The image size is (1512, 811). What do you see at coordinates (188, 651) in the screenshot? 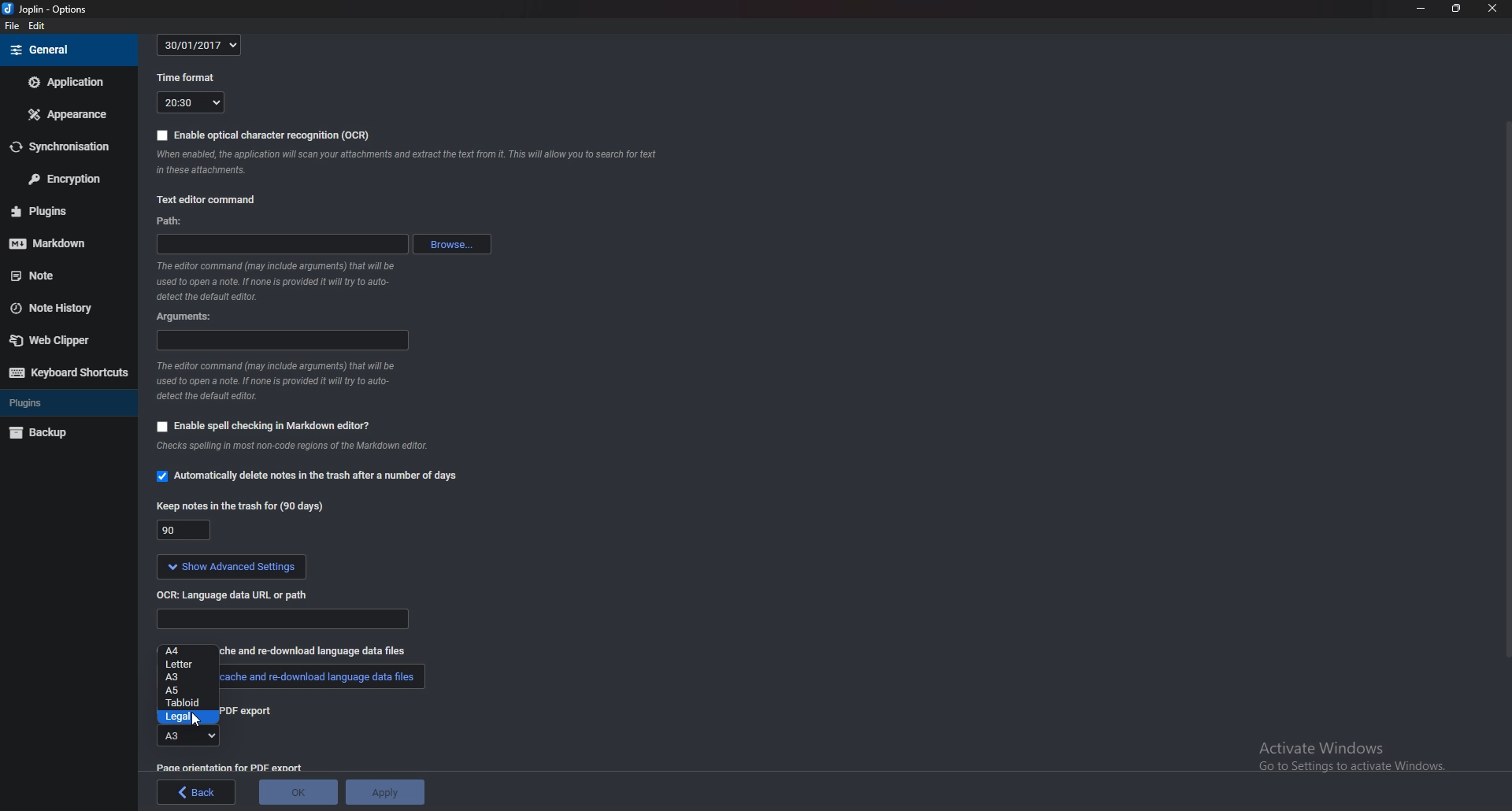
I see `A4` at bounding box center [188, 651].